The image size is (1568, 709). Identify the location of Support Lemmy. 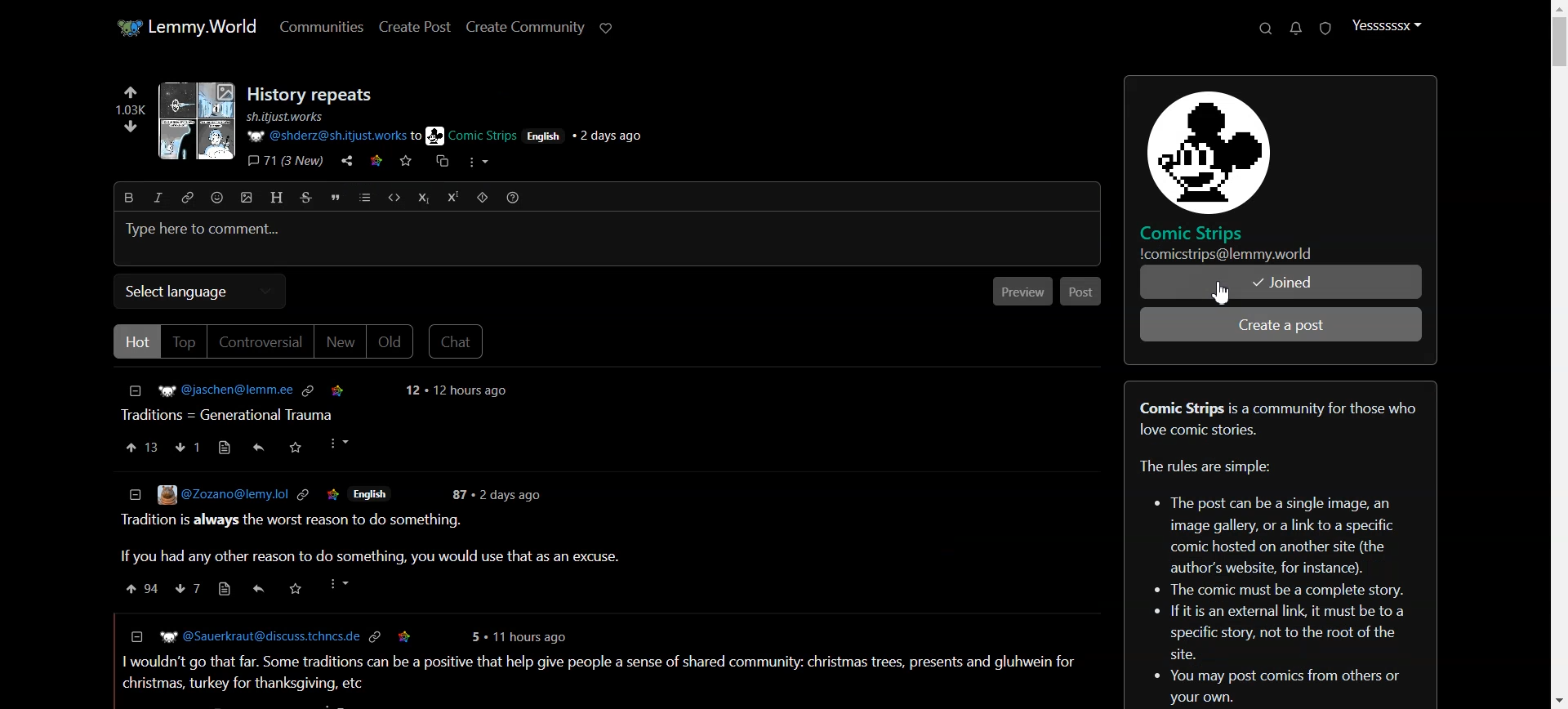
(605, 28).